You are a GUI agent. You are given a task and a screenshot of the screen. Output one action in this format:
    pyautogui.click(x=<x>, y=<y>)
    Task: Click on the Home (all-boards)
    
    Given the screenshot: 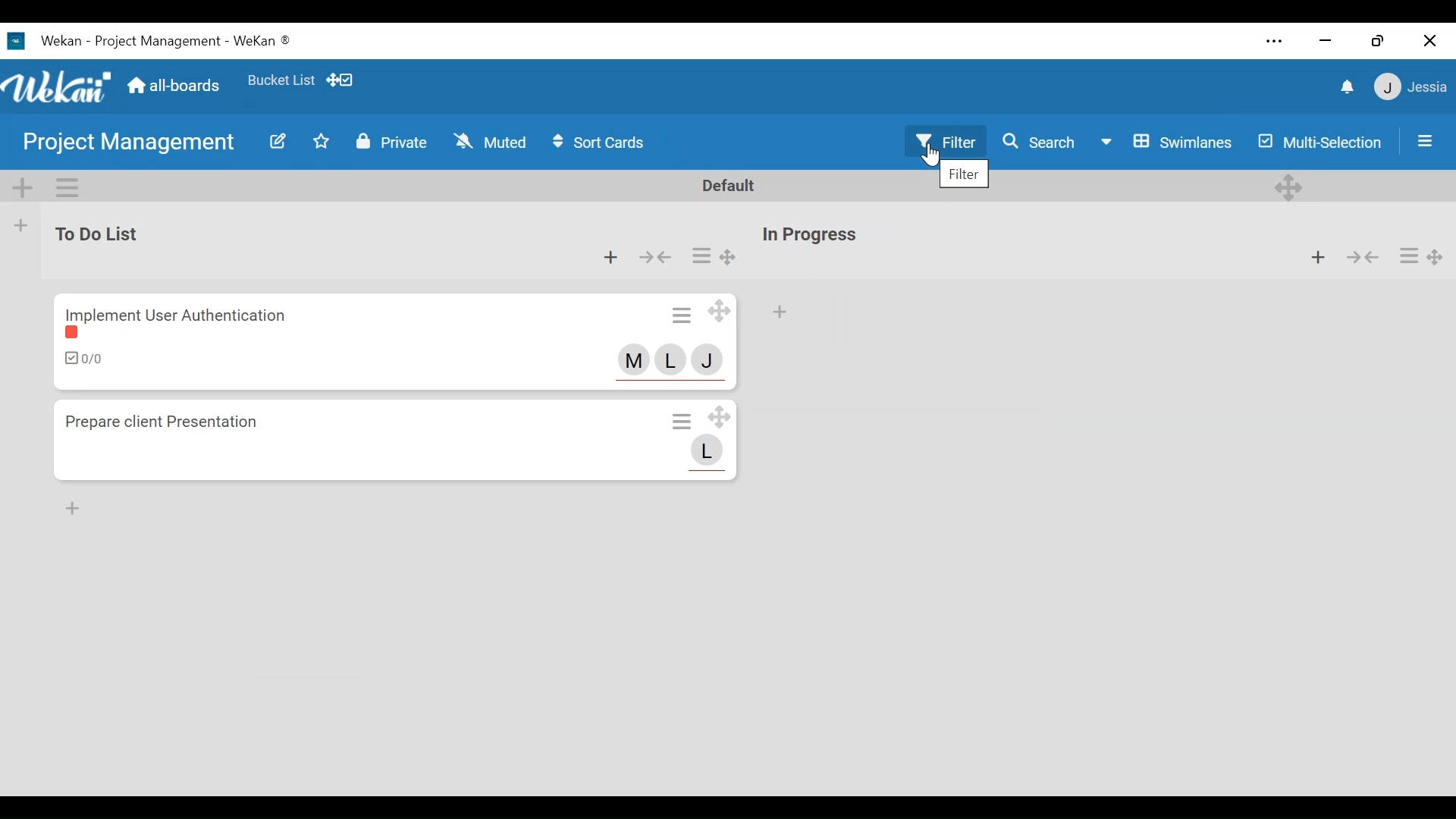 What is the action you would take?
    pyautogui.click(x=176, y=86)
    